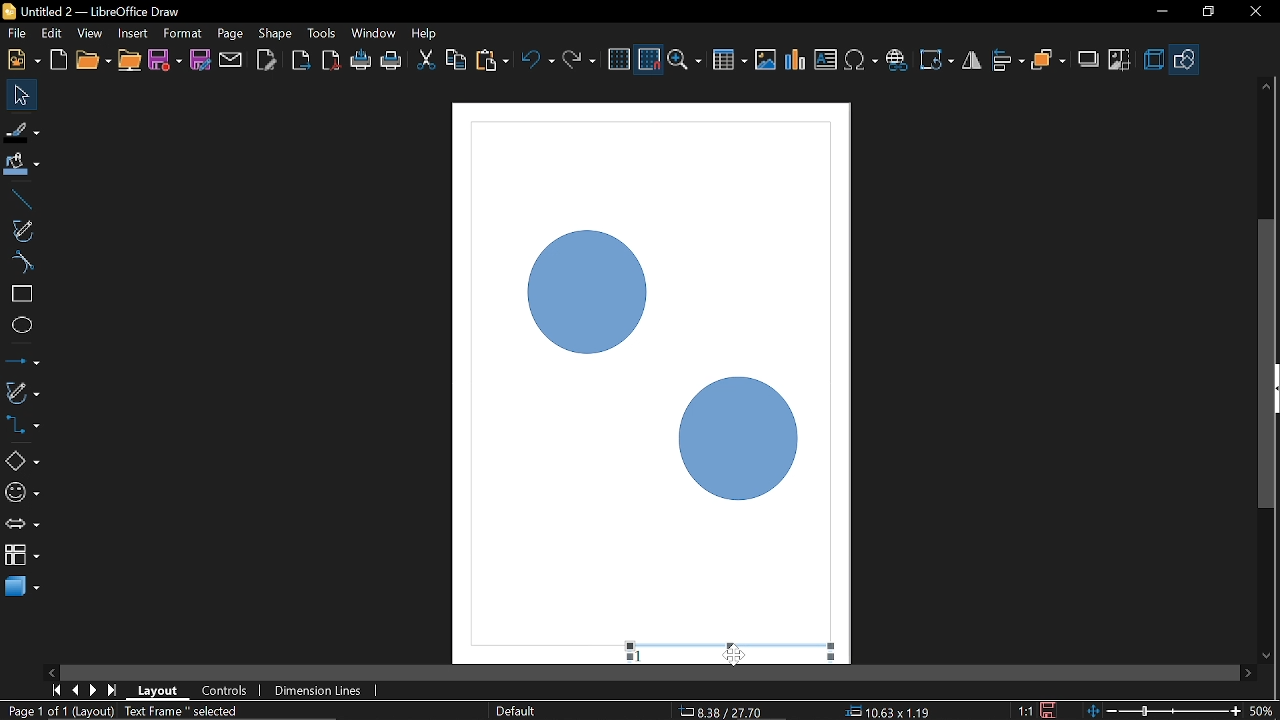 Image resolution: width=1280 pixels, height=720 pixels. I want to click on vertical scrollbar, so click(1267, 281).